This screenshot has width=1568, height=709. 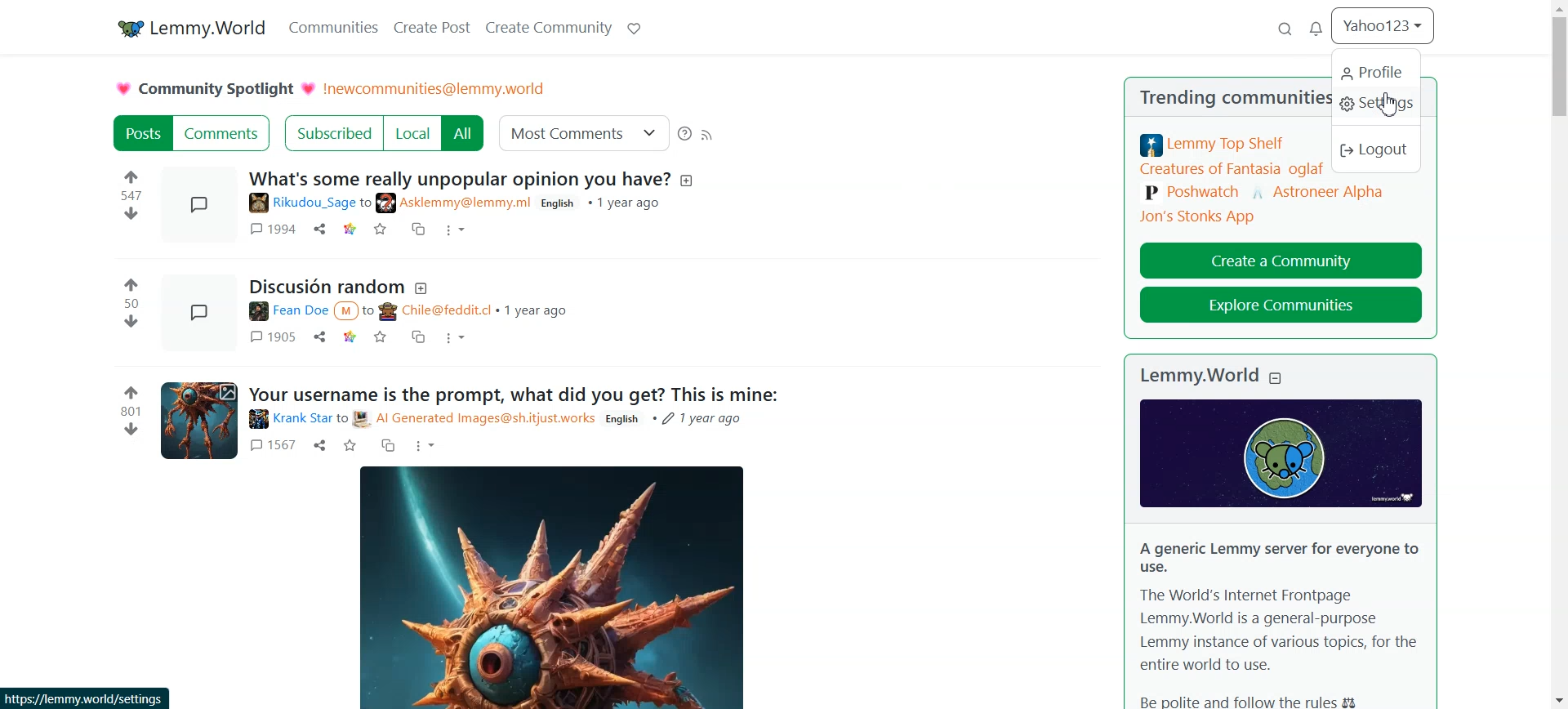 I want to click on to, so click(x=367, y=203).